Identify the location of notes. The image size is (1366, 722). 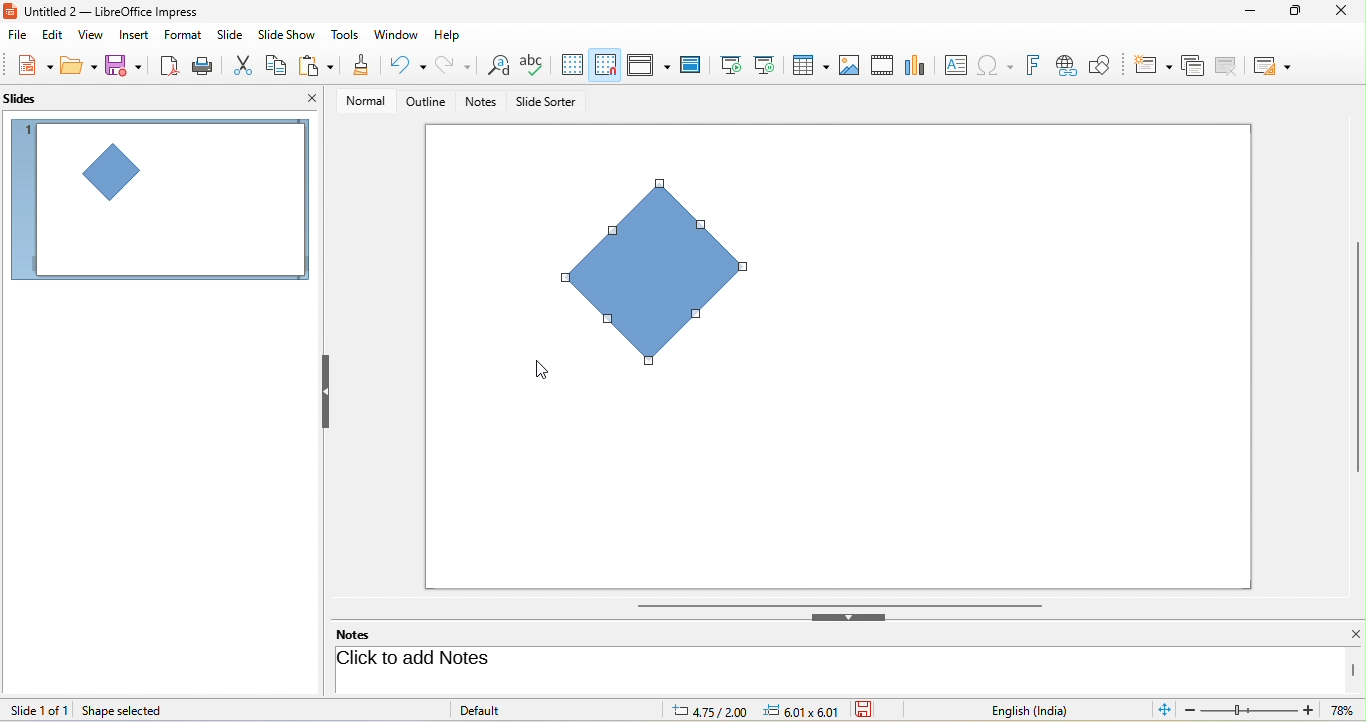
(483, 103).